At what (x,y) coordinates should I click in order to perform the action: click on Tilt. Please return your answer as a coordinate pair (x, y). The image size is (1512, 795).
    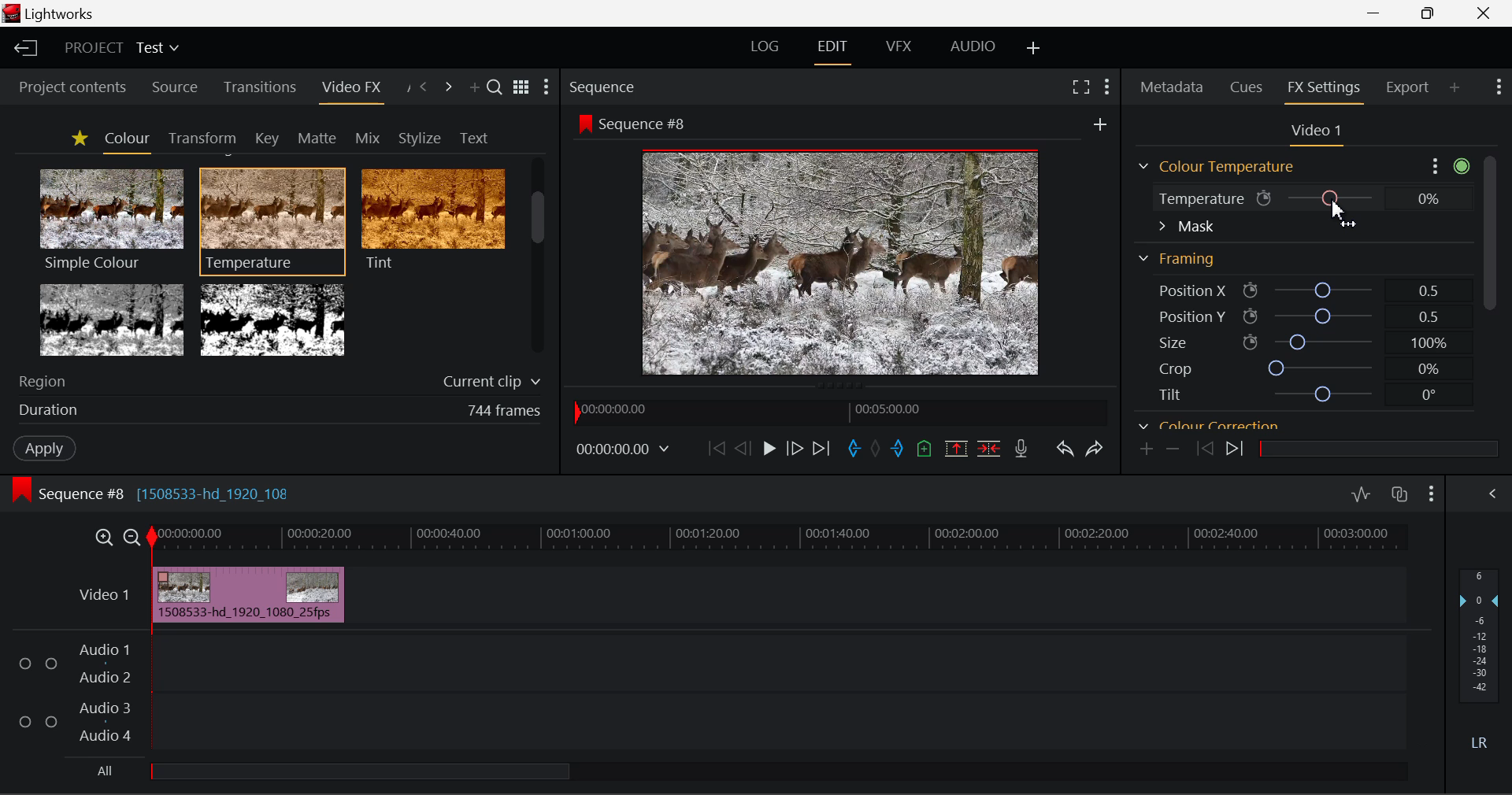
    Looking at the image, I should click on (1171, 394).